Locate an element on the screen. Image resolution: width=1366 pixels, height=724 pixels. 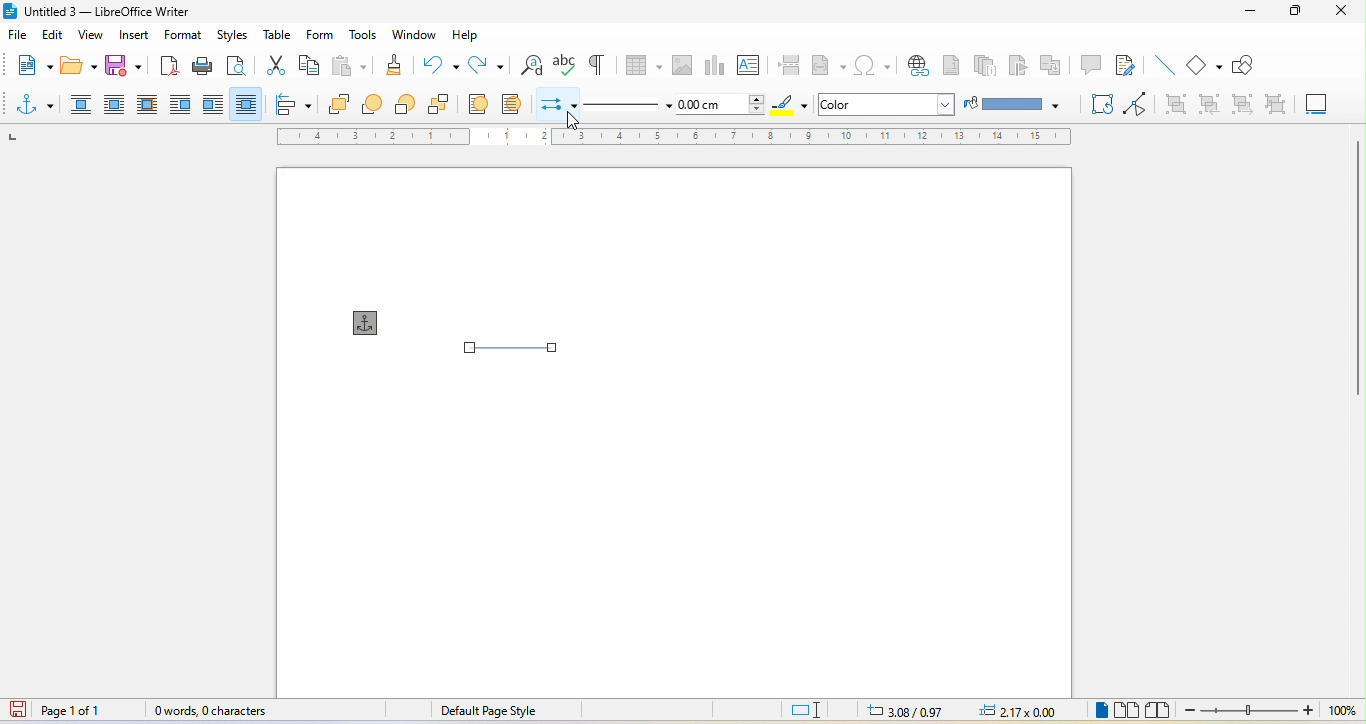
export directly as pdf is located at coordinates (167, 65).